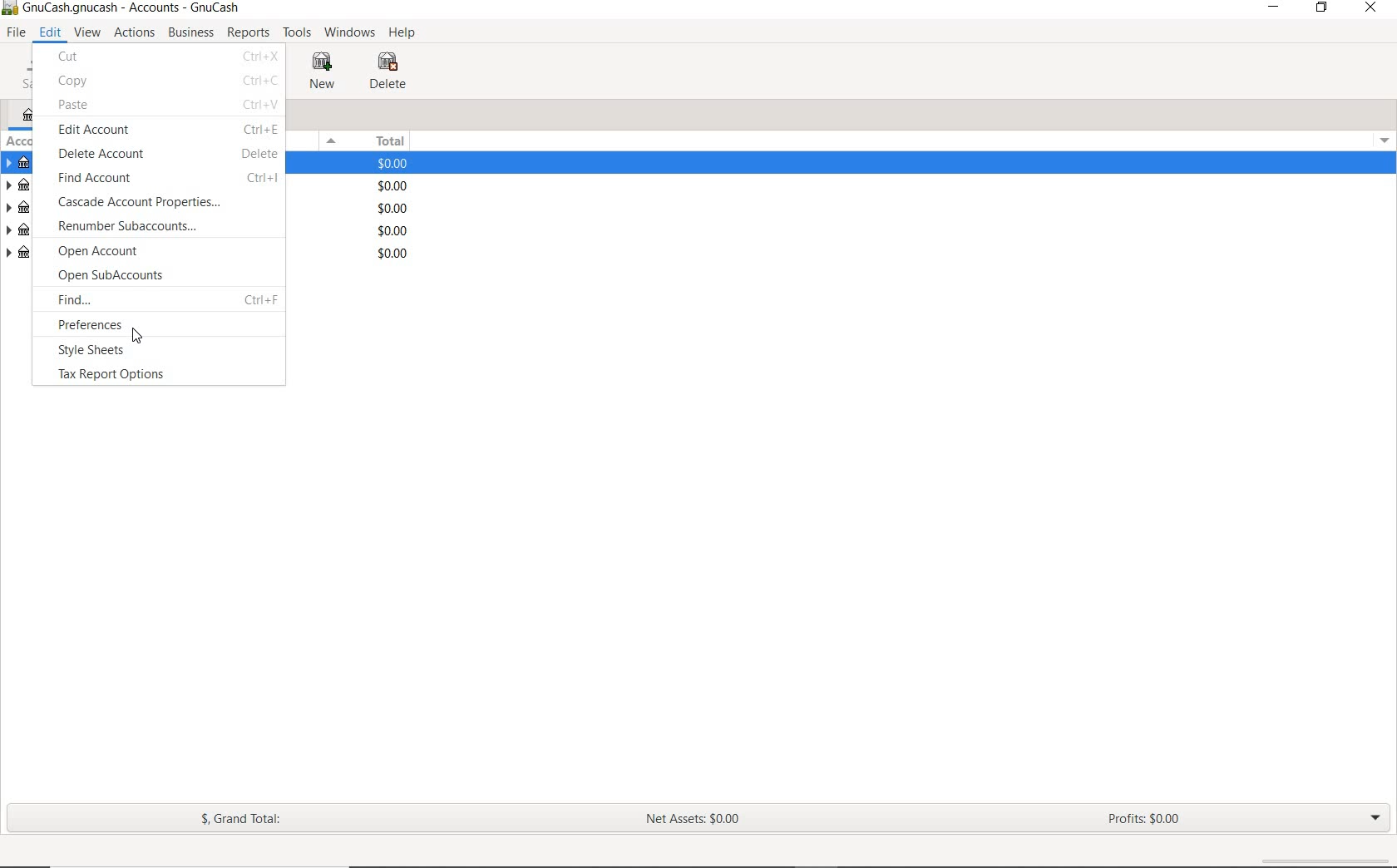  Describe the element at coordinates (89, 33) in the screenshot. I see `VIEW` at that location.